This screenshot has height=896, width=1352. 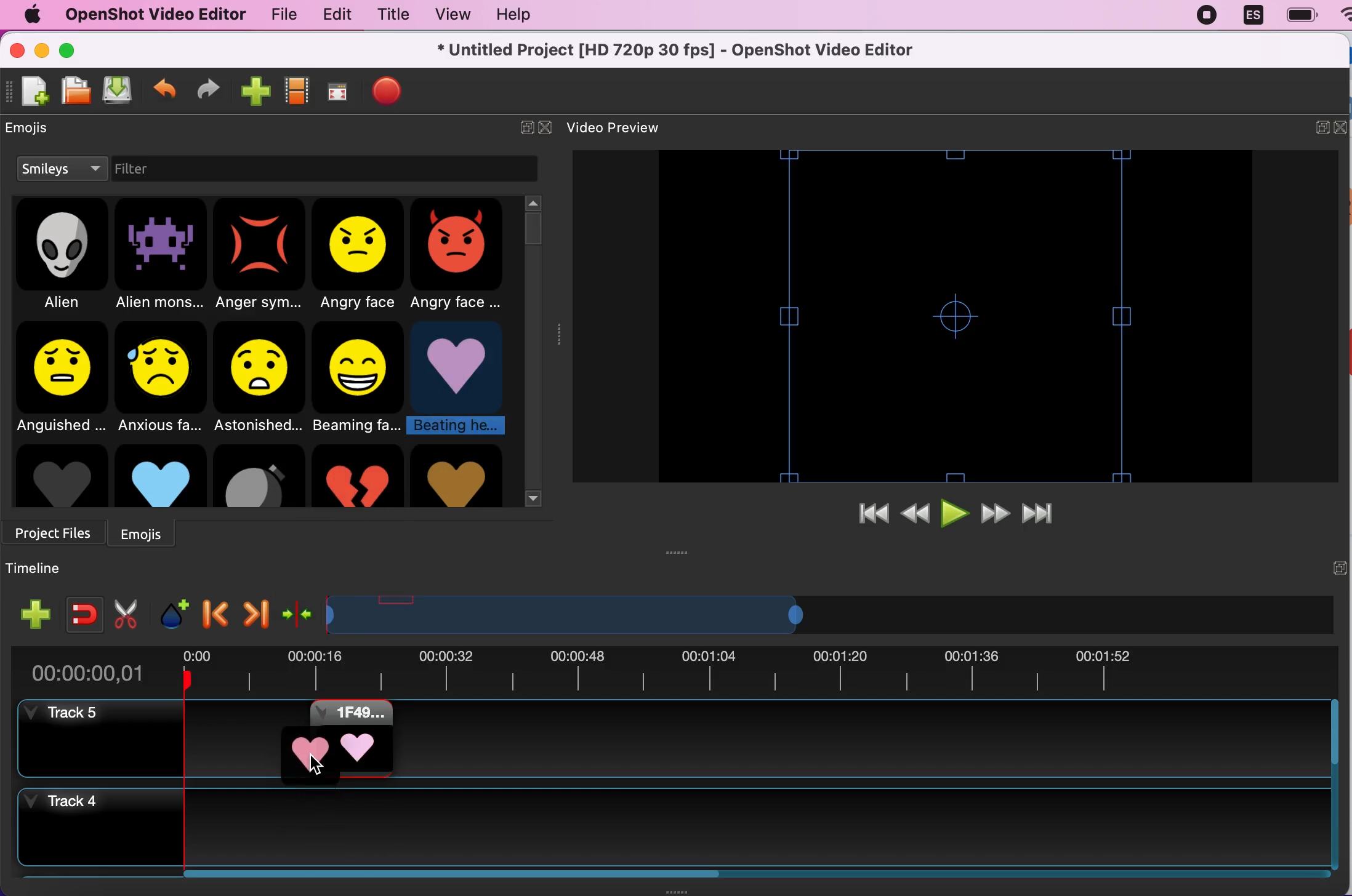 I want to click on Expand/Shrink timeline view, so click(x=569, y=615).